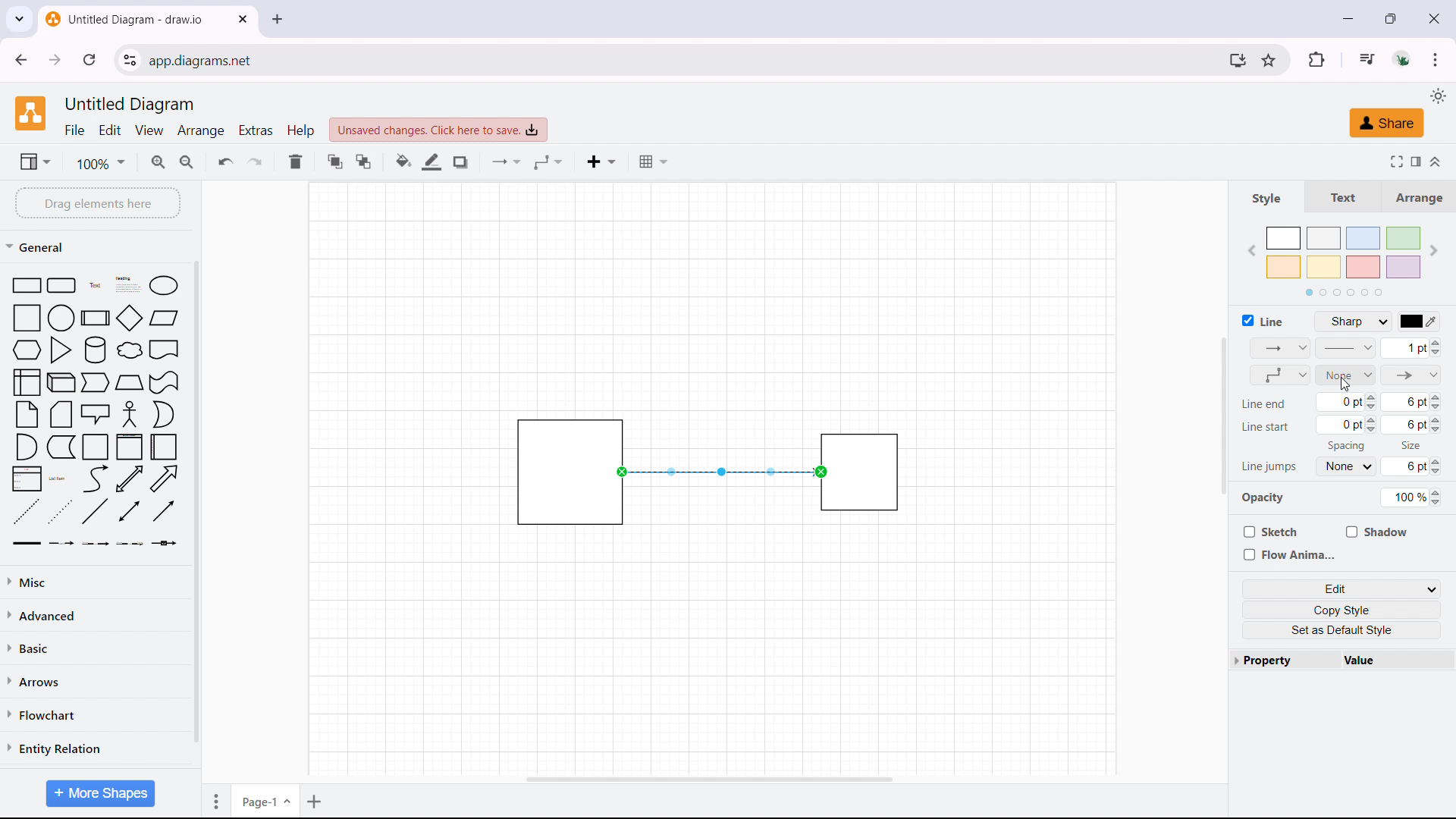 The image size is (1456, 819). What do you see at coordinates (1348, 18) in the screenshot?
I see `minimize` at bounding box center [1348, 18].